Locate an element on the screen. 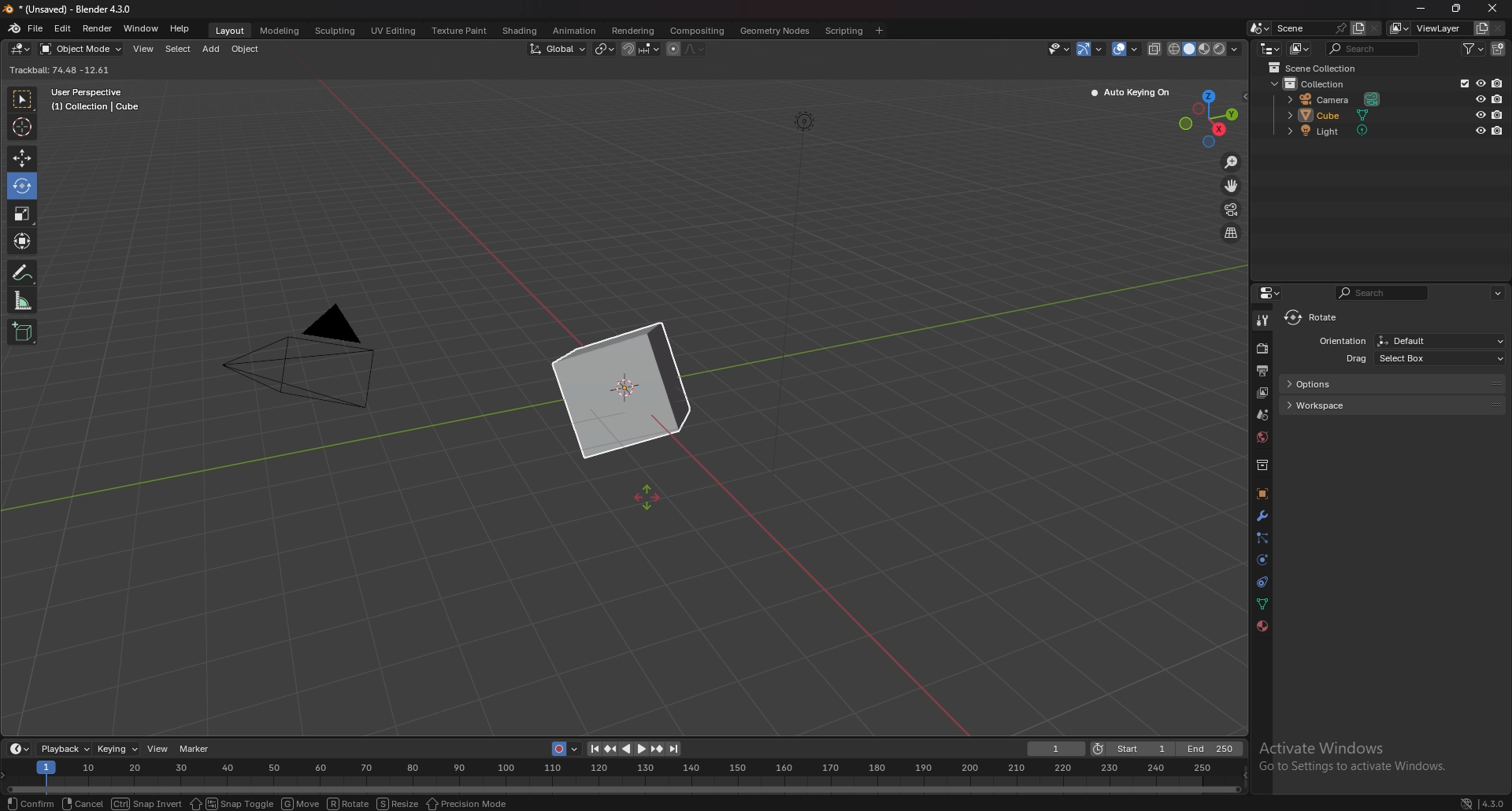  transformation orientation is located at coordinates (558, 48).